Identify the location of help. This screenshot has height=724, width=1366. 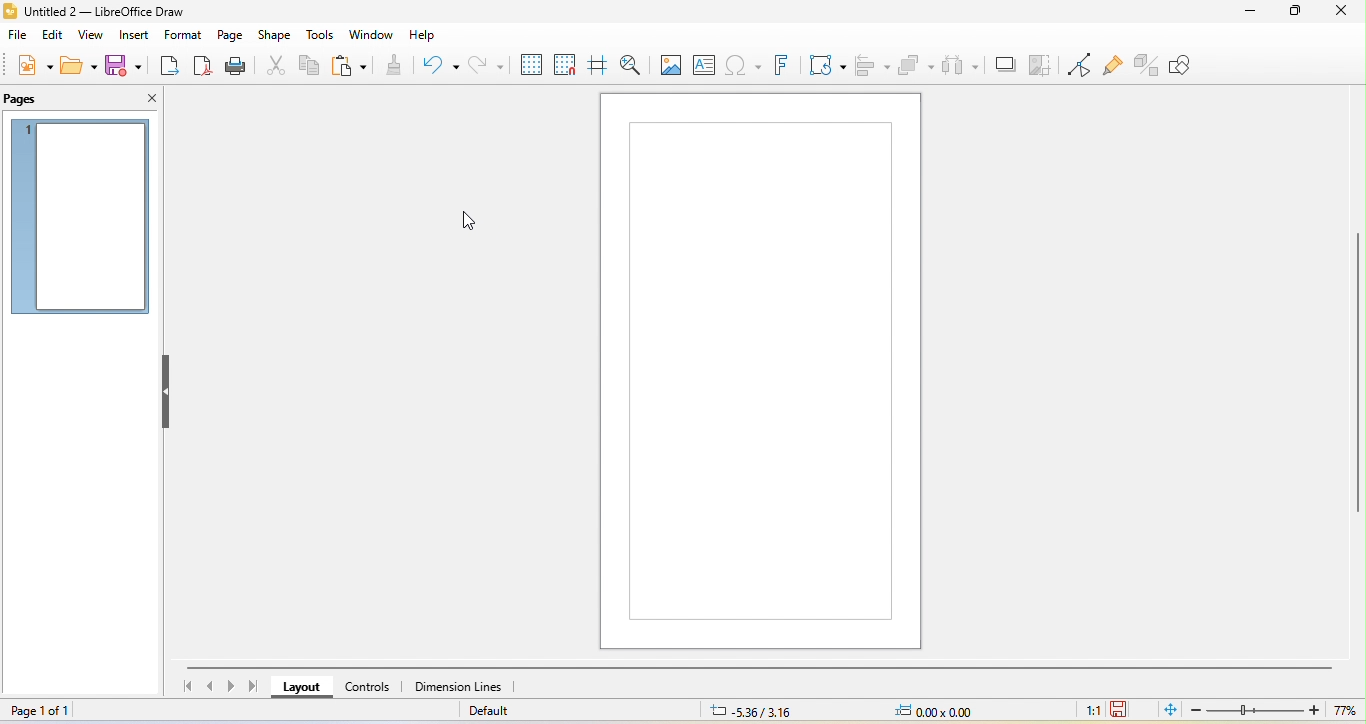
(420, 36).